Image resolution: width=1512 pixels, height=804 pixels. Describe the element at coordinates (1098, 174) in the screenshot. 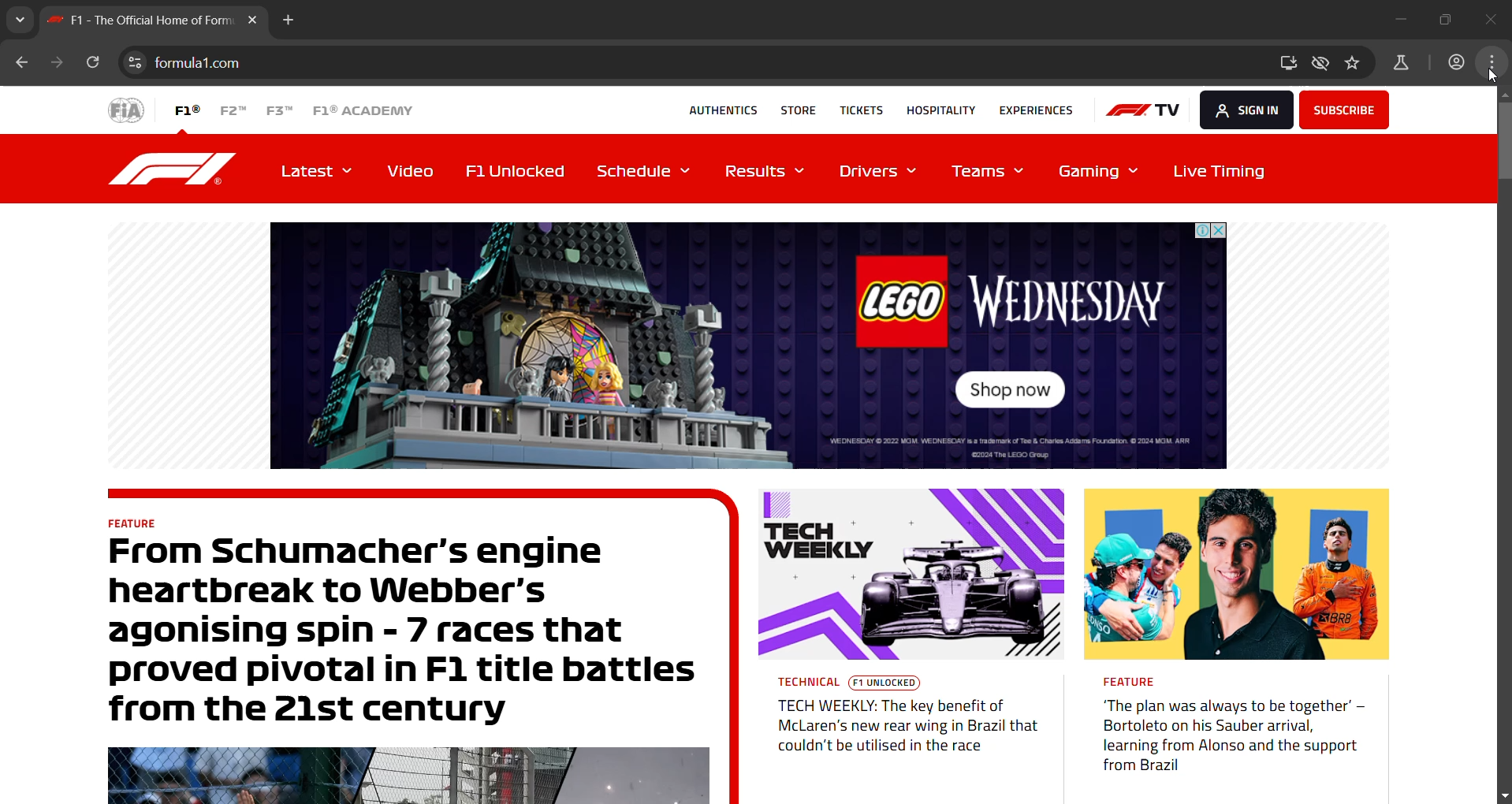

I see `Gaming` at that location.